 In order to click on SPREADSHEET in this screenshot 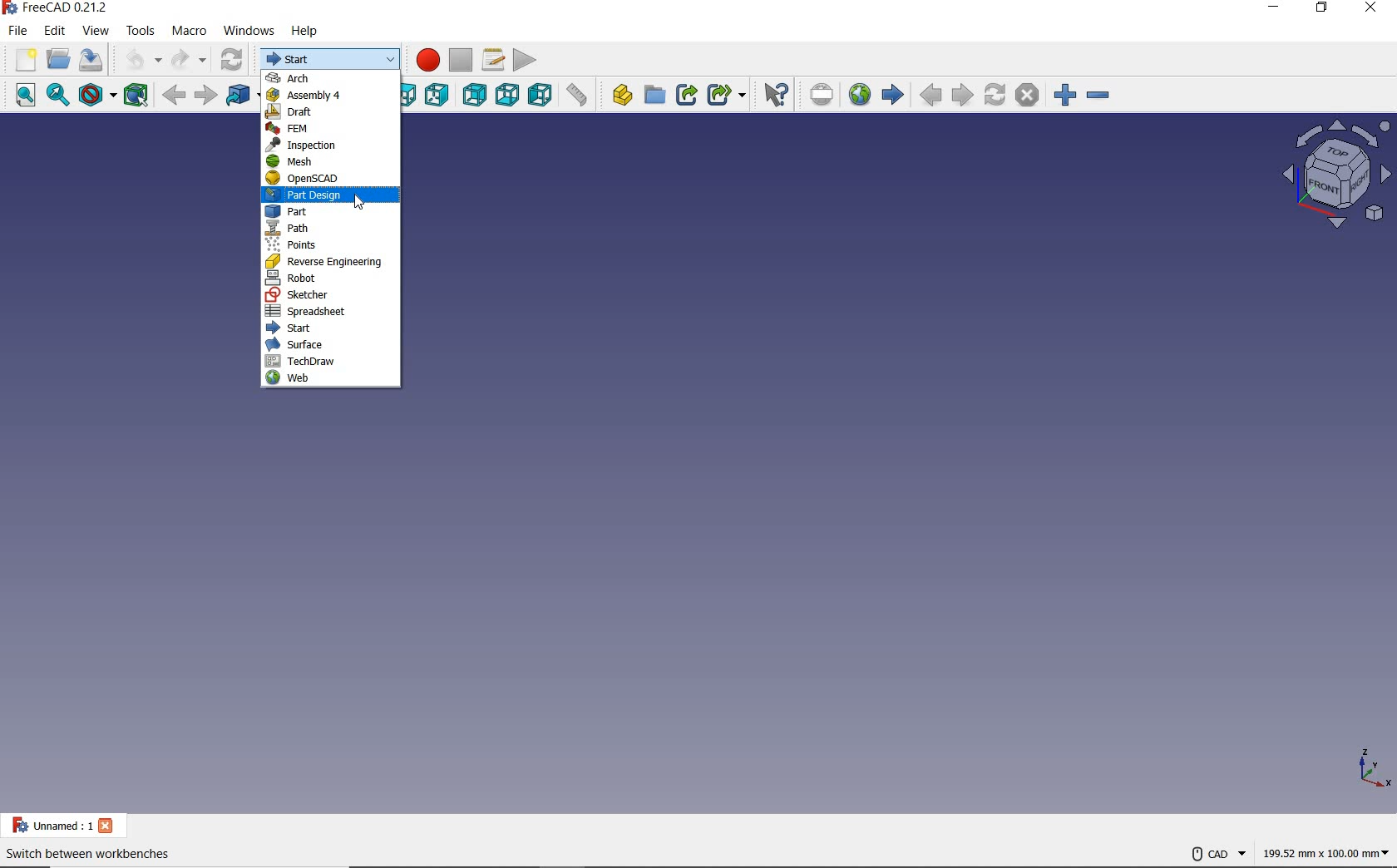, I will do `click(330, 313)`.